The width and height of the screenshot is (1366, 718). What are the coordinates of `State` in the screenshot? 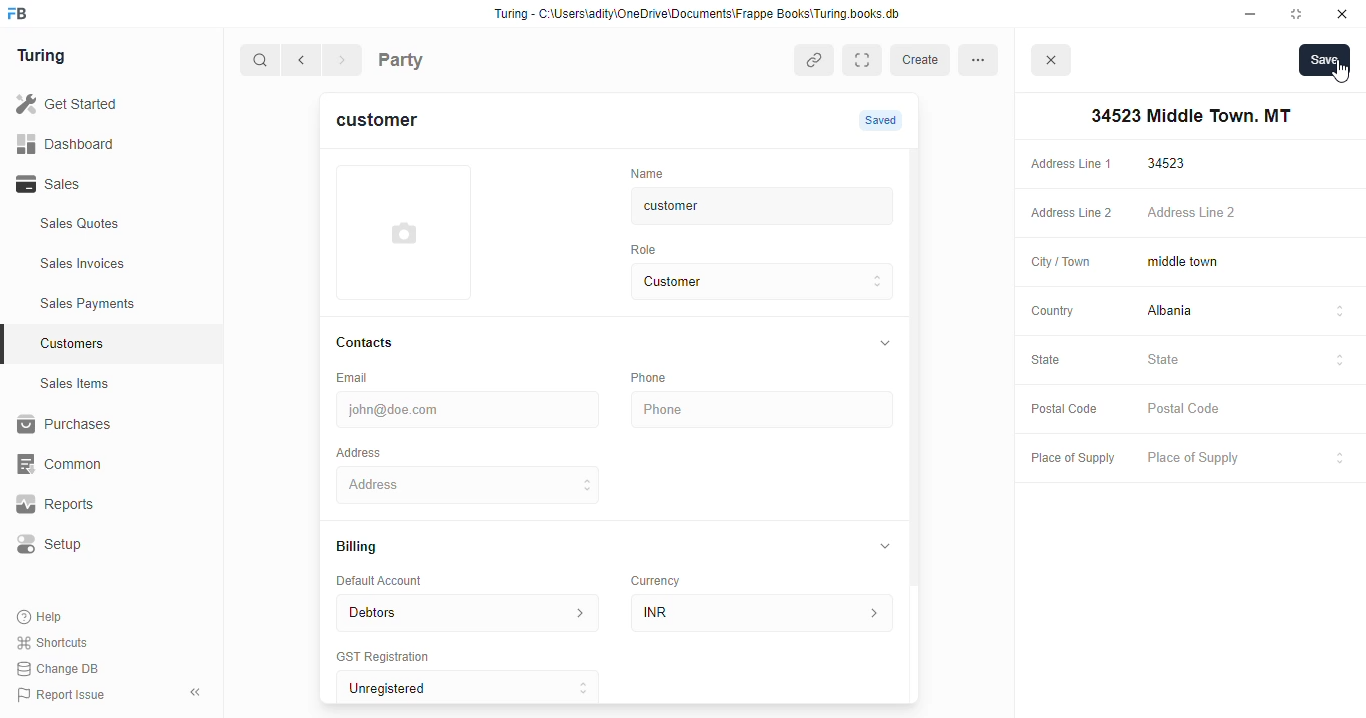 It's located at (1056, 361).